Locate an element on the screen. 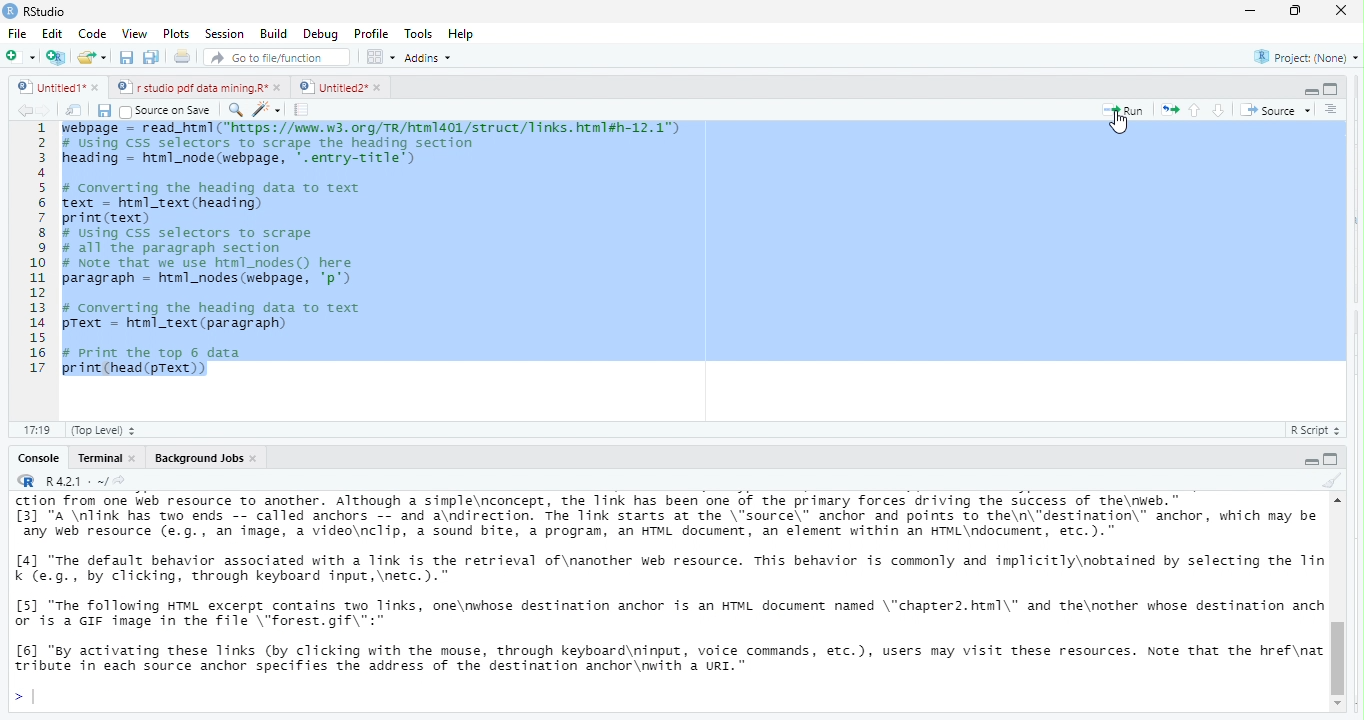  maximize is located at coordinates (1248, 13).